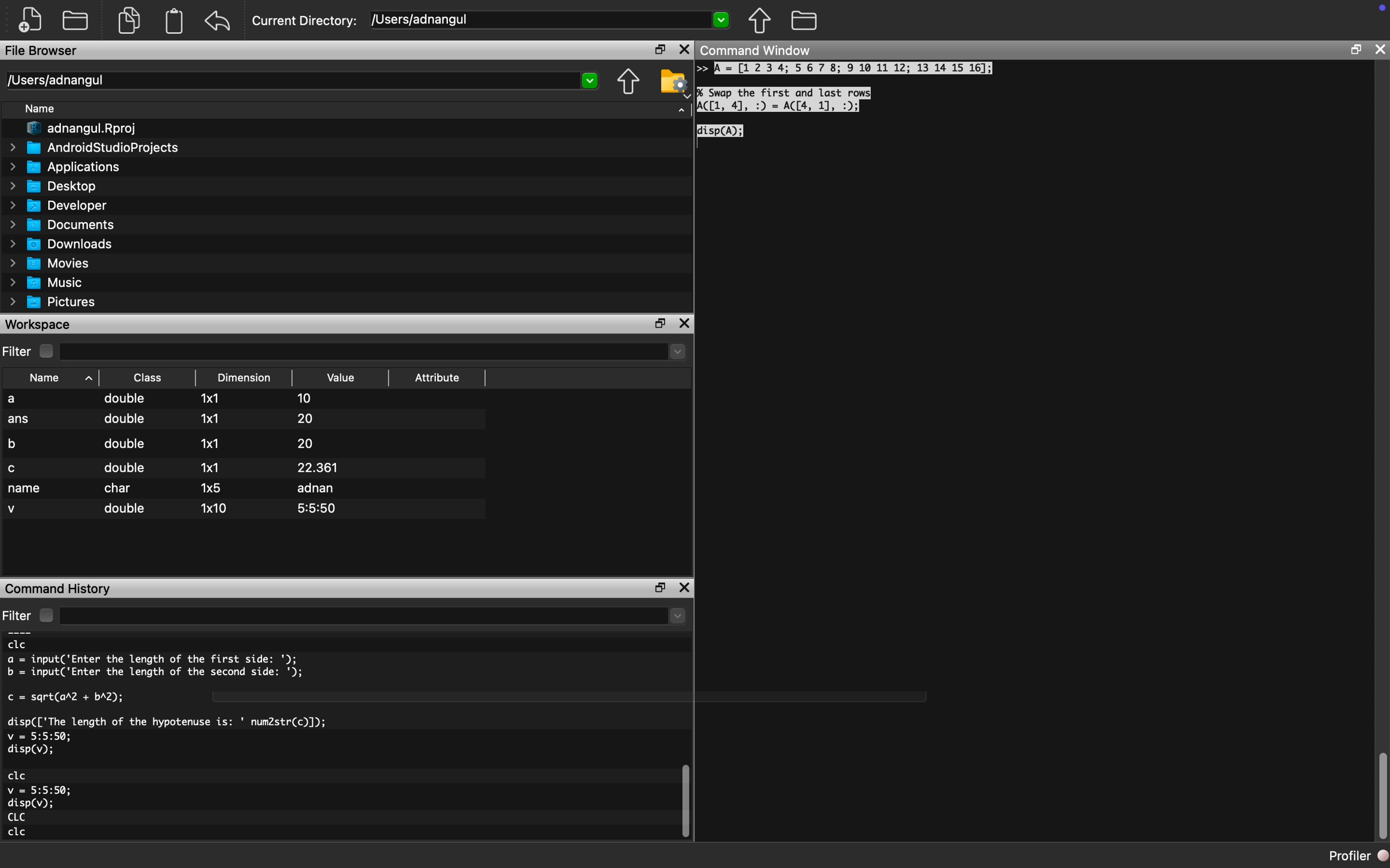  I want to click on Dimension, so click(245, 377).